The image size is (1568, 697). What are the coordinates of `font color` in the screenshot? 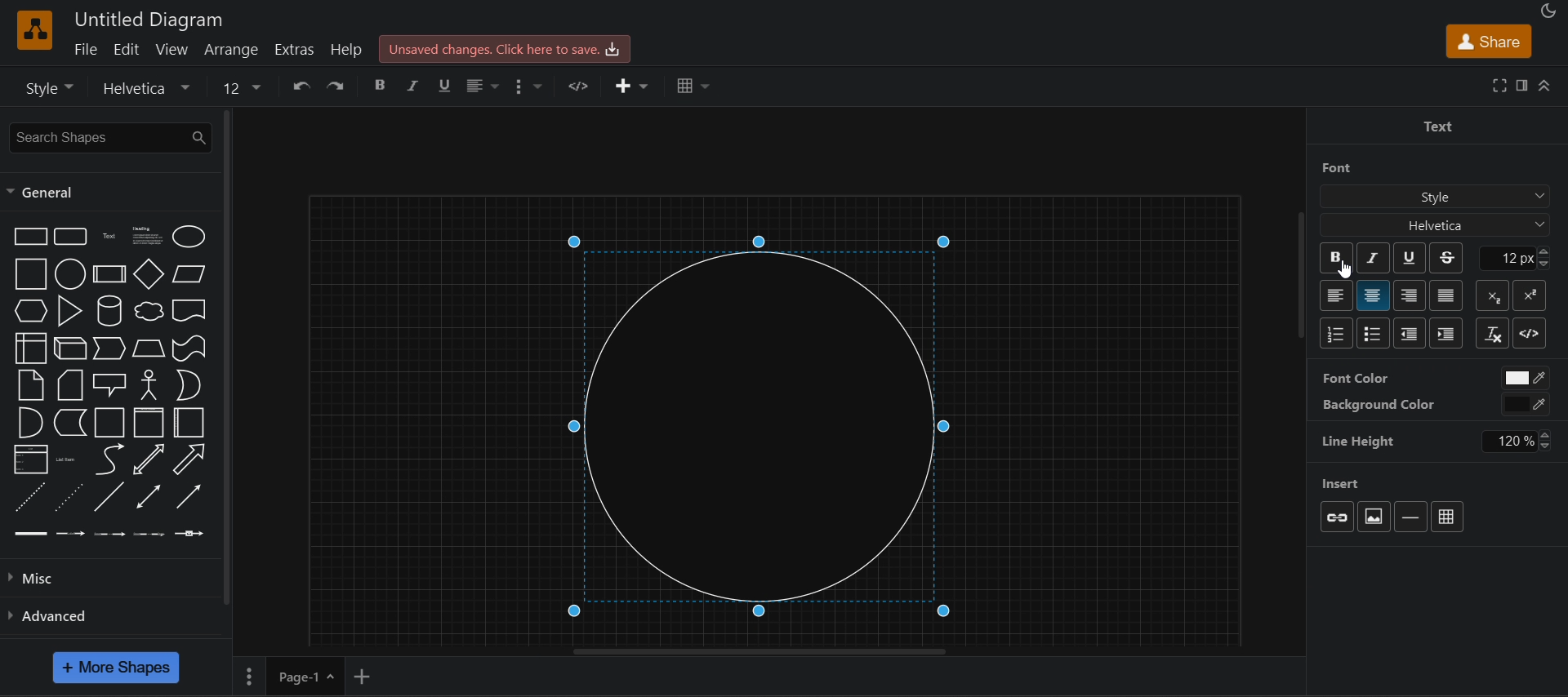 It's located at (1383, 380).